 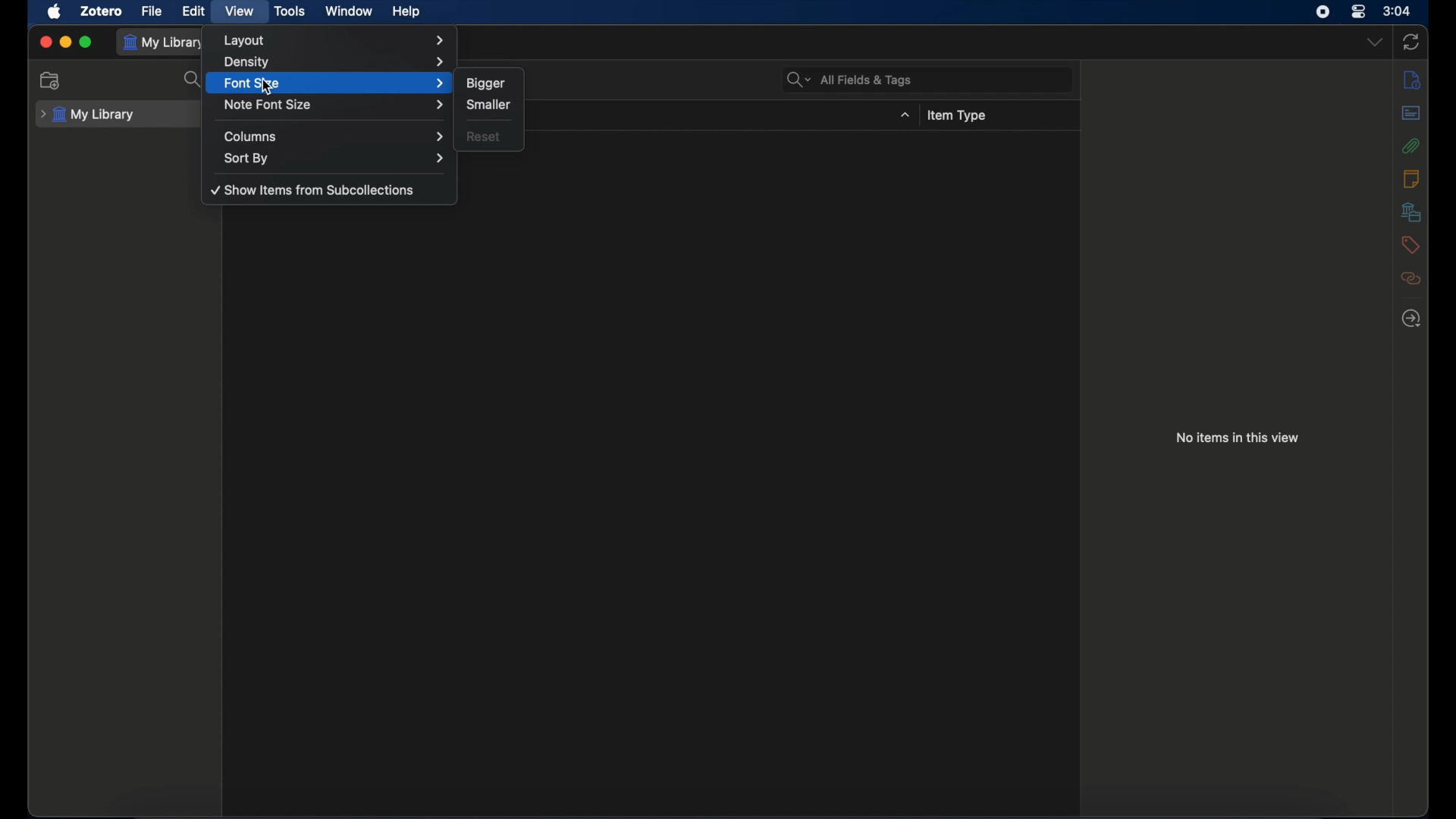 I want to click on items type, so click(x=957, y=115).